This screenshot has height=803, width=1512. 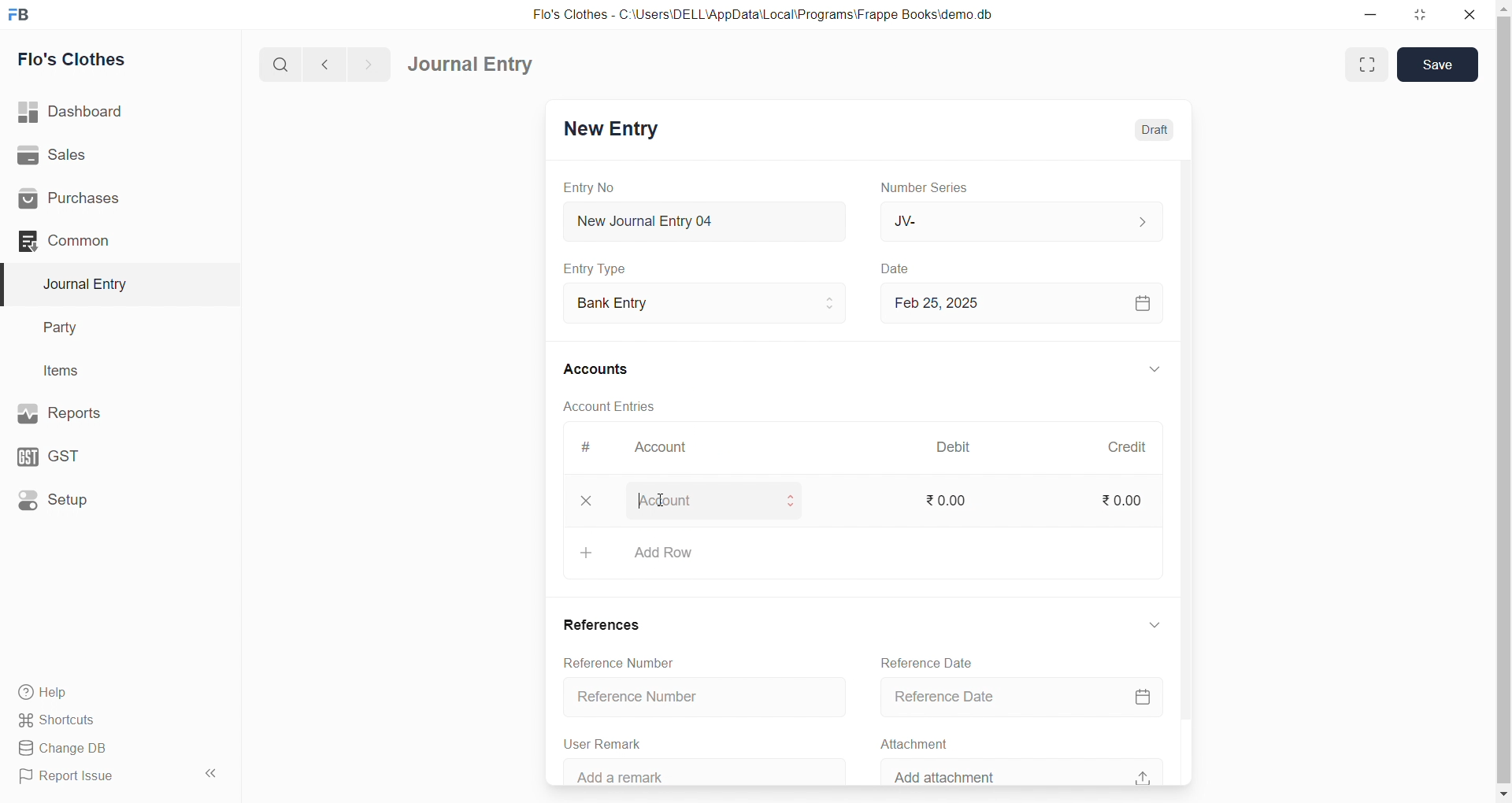 What do you see at coordinates (111, 498) in the screenshot?
I see `Setup` at bounding box center [111, 498].